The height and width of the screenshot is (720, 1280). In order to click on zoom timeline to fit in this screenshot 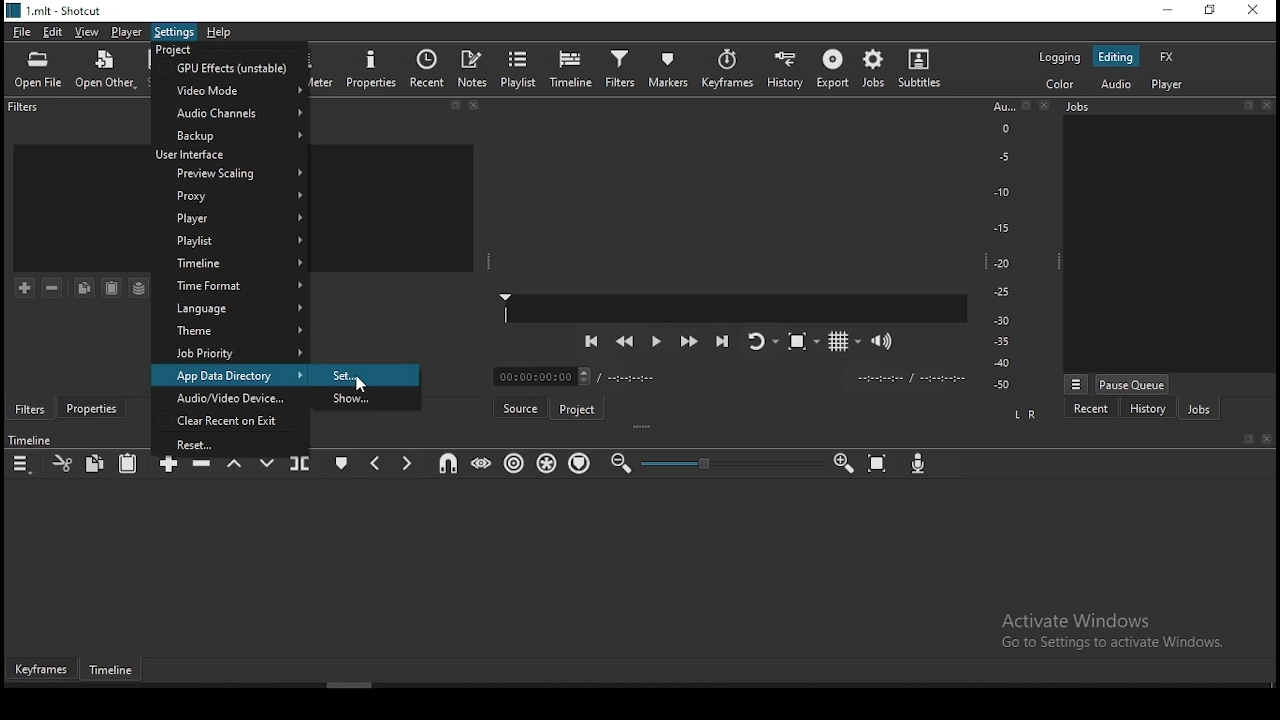, I will do `click(879, 463)`.